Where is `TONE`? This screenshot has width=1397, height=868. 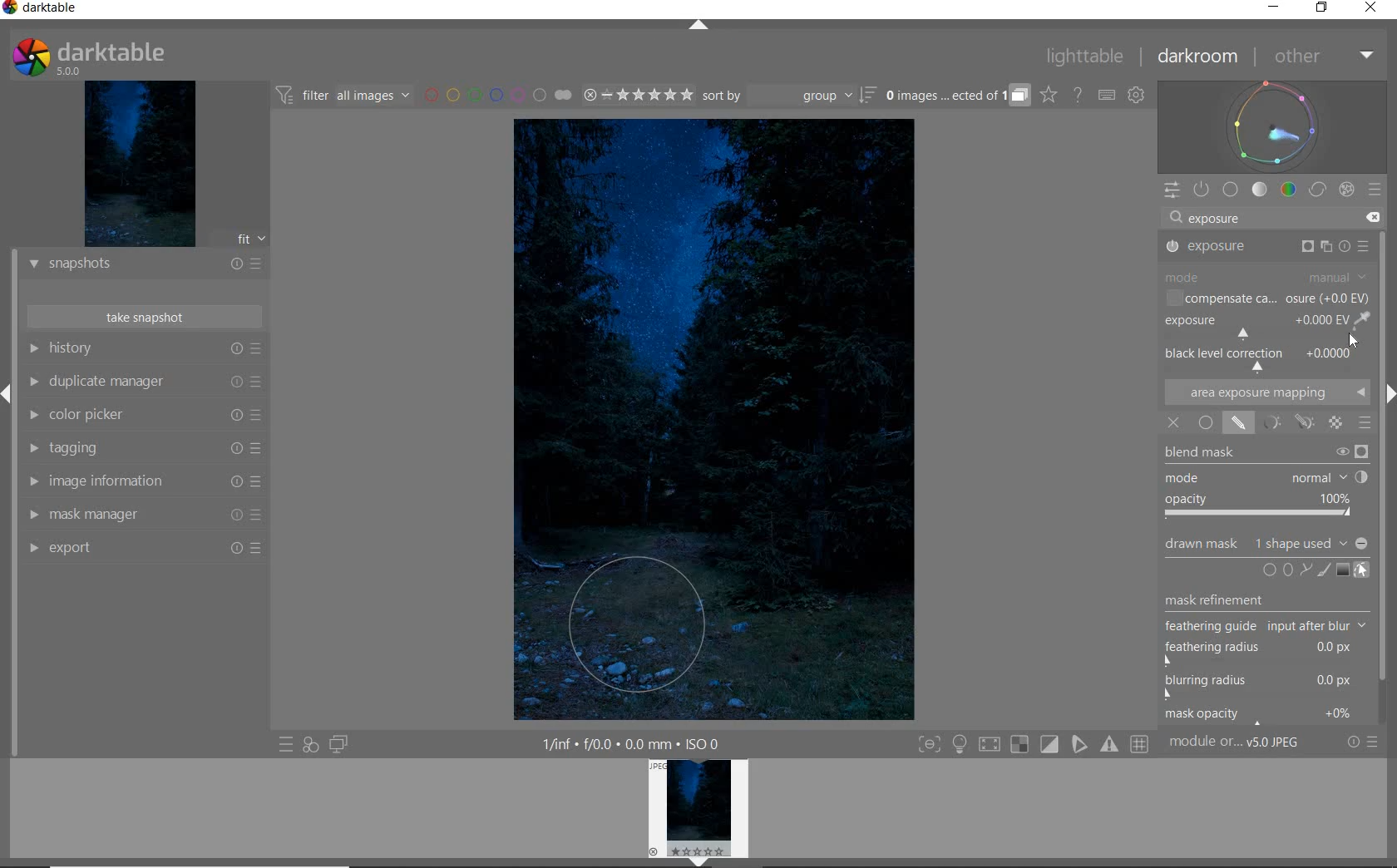
TONE is located at coordinates (1259, 190).